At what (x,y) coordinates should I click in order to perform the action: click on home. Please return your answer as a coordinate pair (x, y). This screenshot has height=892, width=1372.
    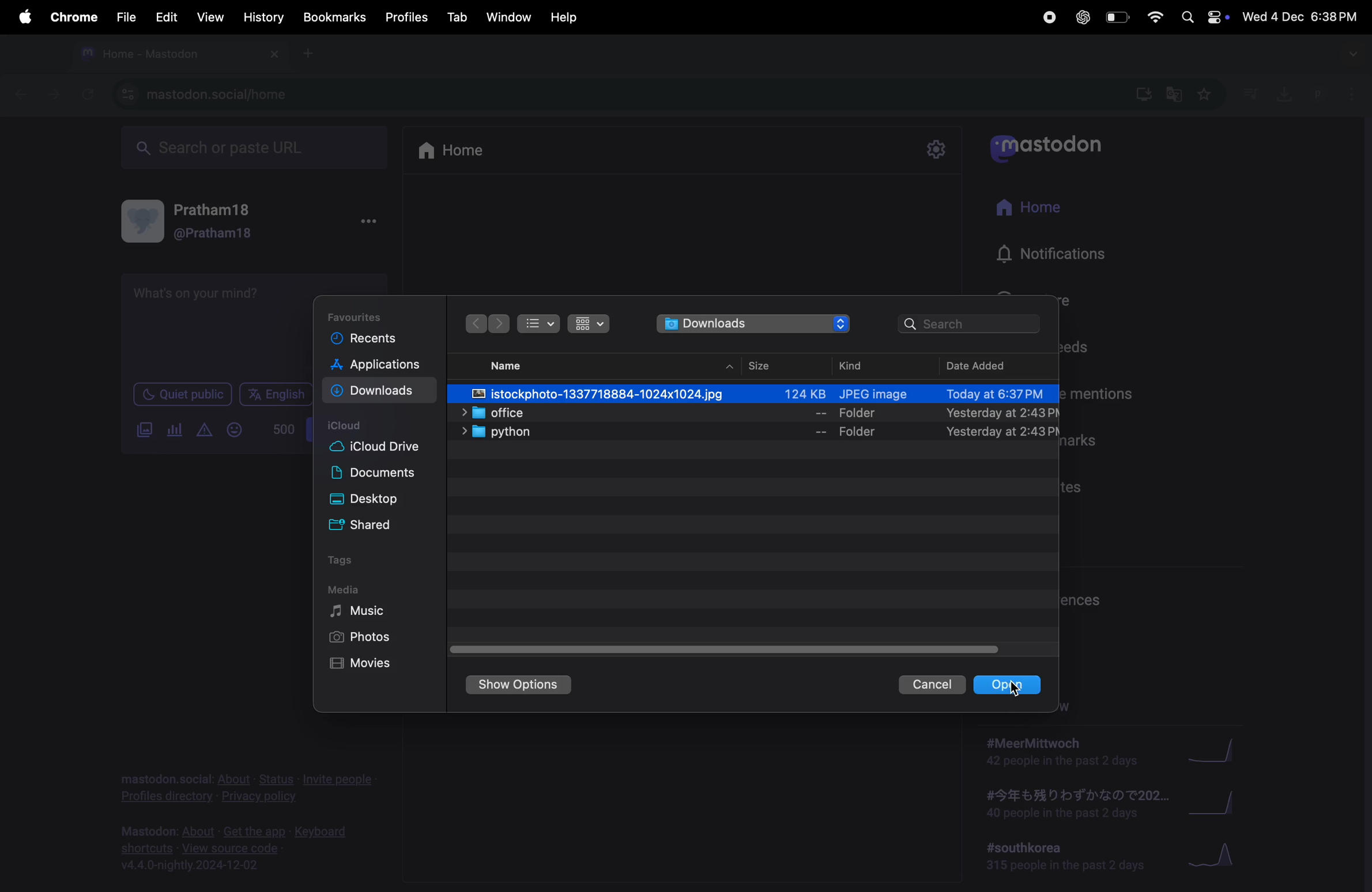
    Looking at the image, I should click on (1034, 211).